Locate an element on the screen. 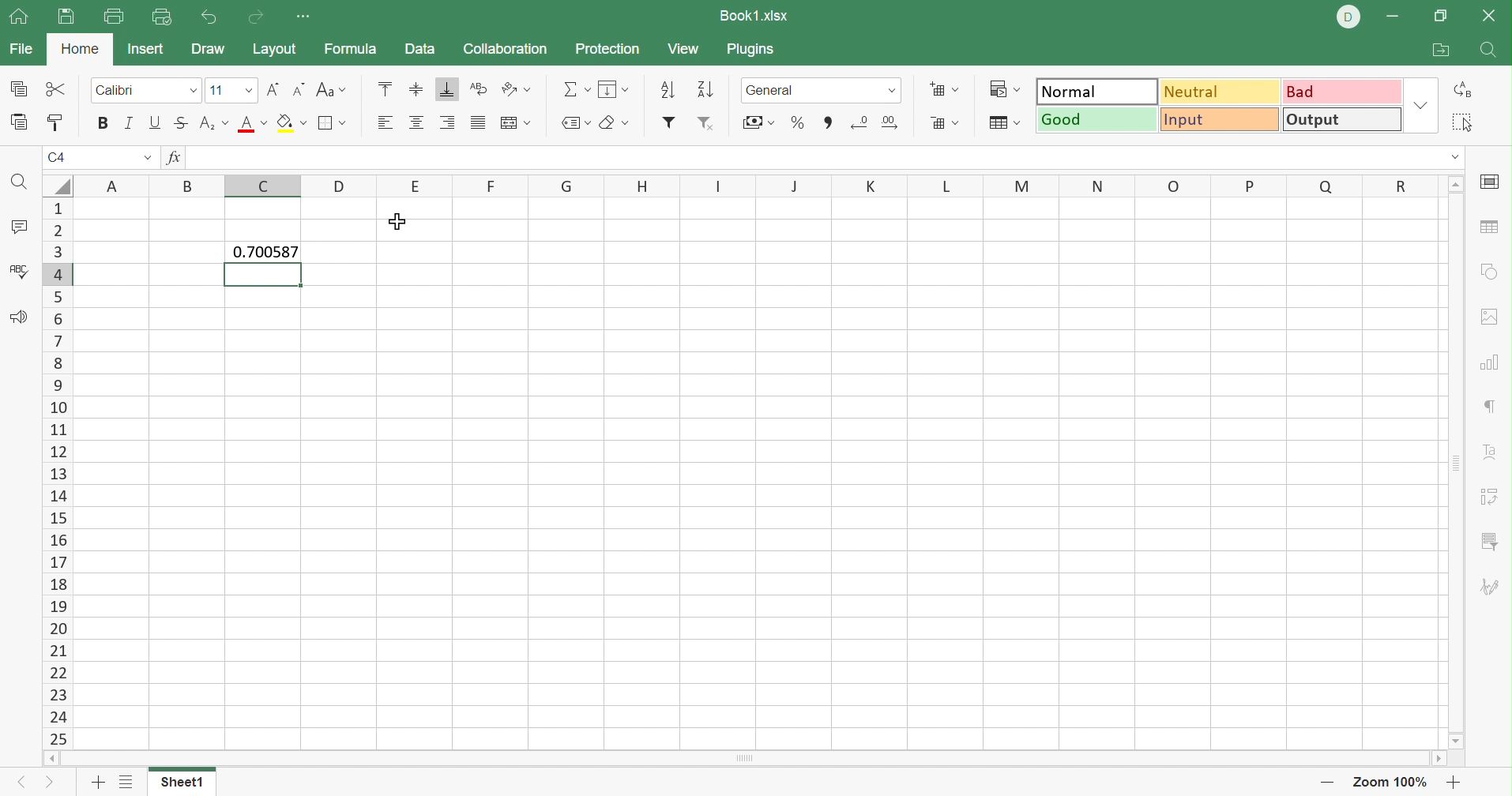 Image resolution: width=1512 pixels, height=796 pixels. Book1.xlsx is located at coordinates (755, 16).